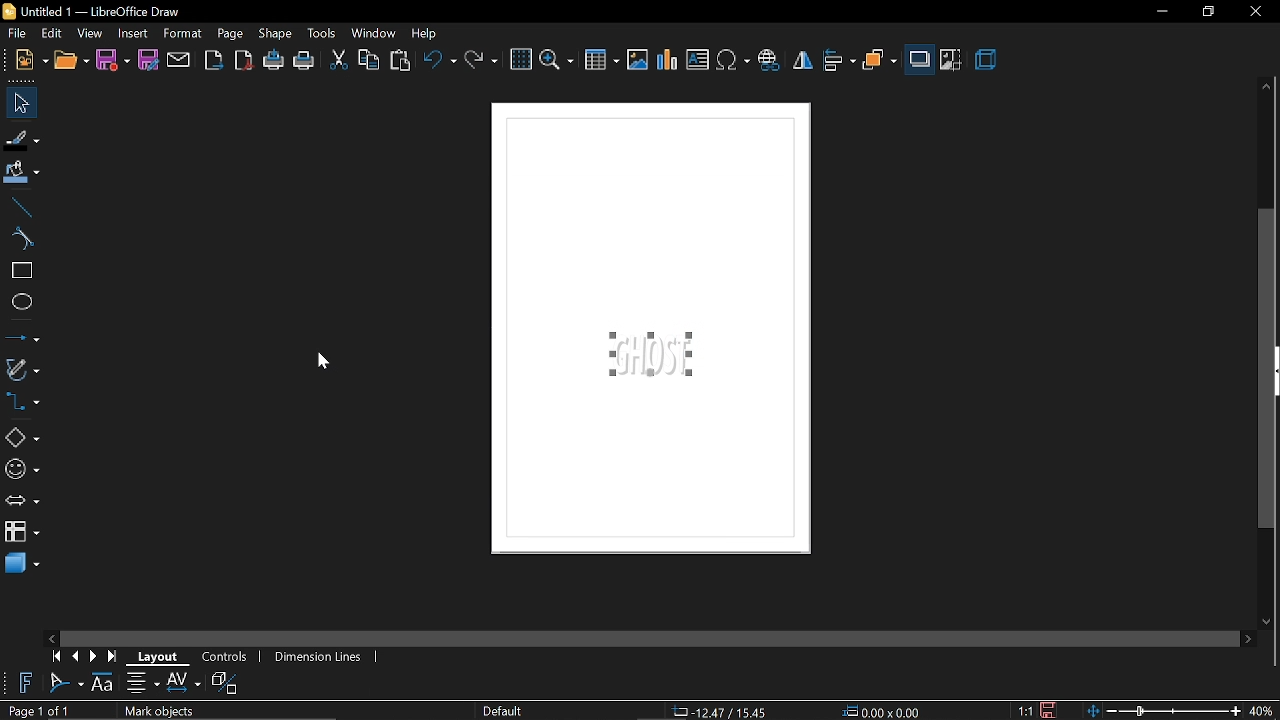 This screenshot has width=1280, height=720. What do you see at coordinates (179, 62) in the screenshot?
I see `attach` at bounding box center [179, 62].